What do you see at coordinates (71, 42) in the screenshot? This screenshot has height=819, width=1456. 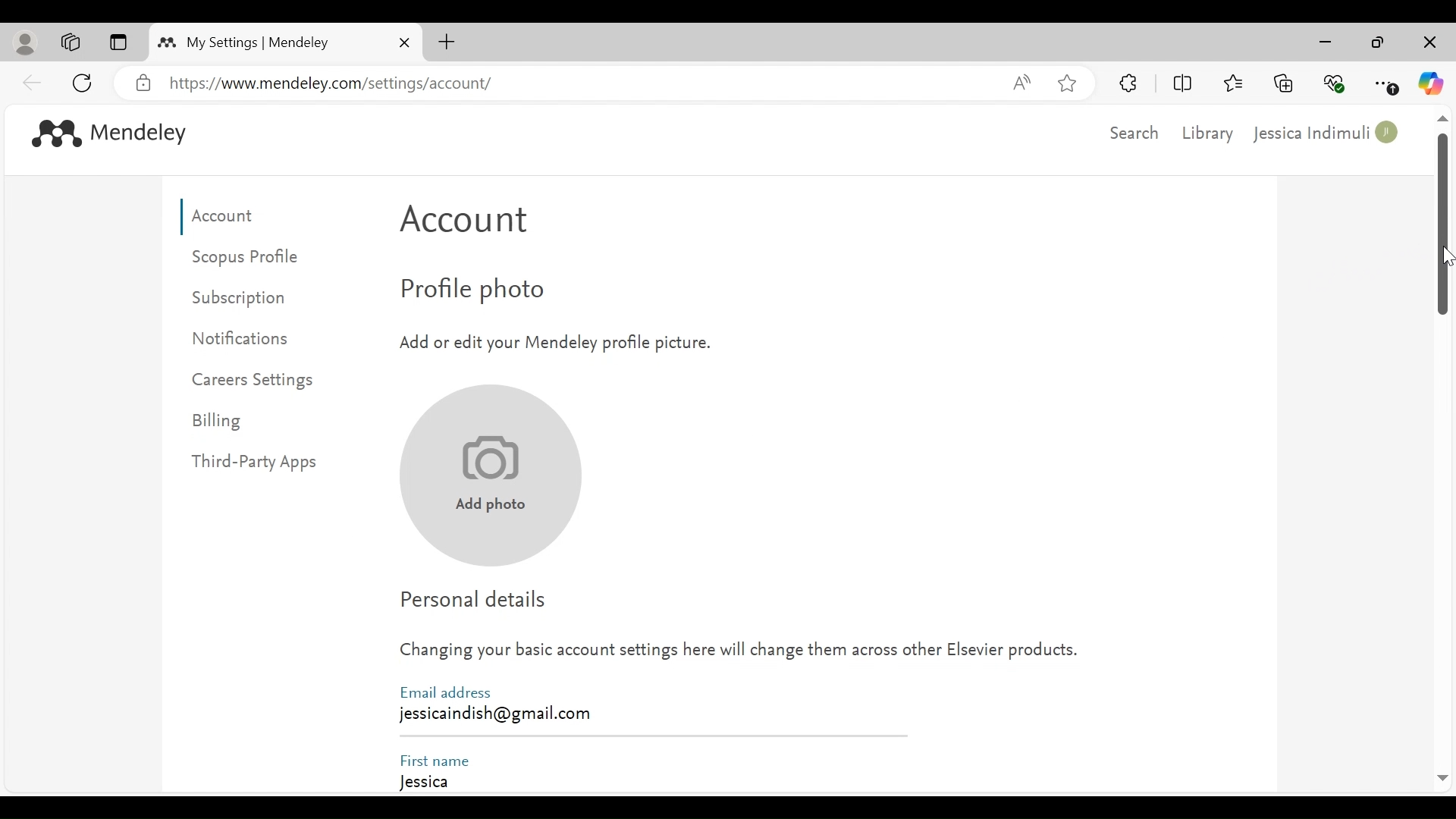 I see `Workspaces` at bounding box center [71, 42].